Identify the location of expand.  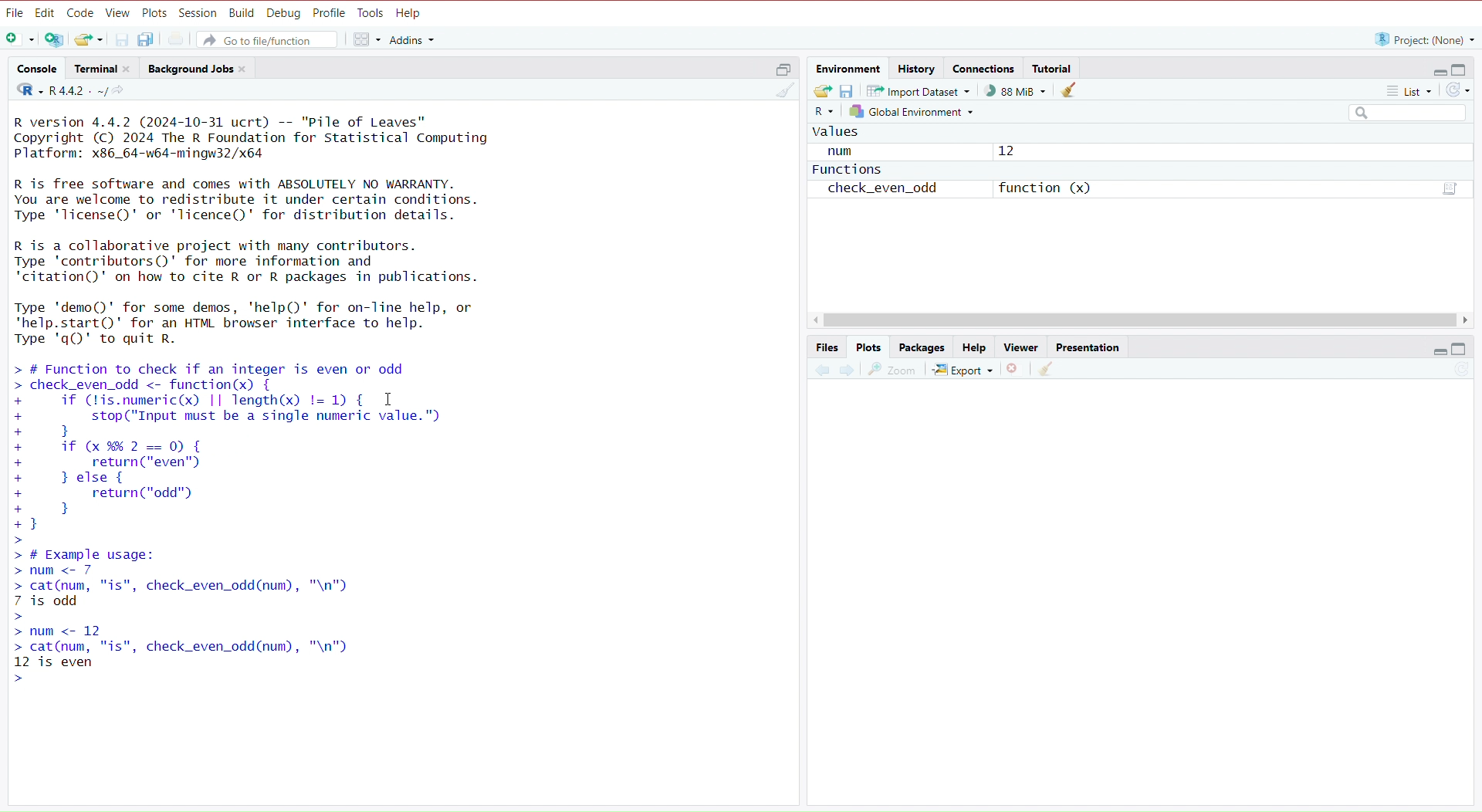
(779, 72).